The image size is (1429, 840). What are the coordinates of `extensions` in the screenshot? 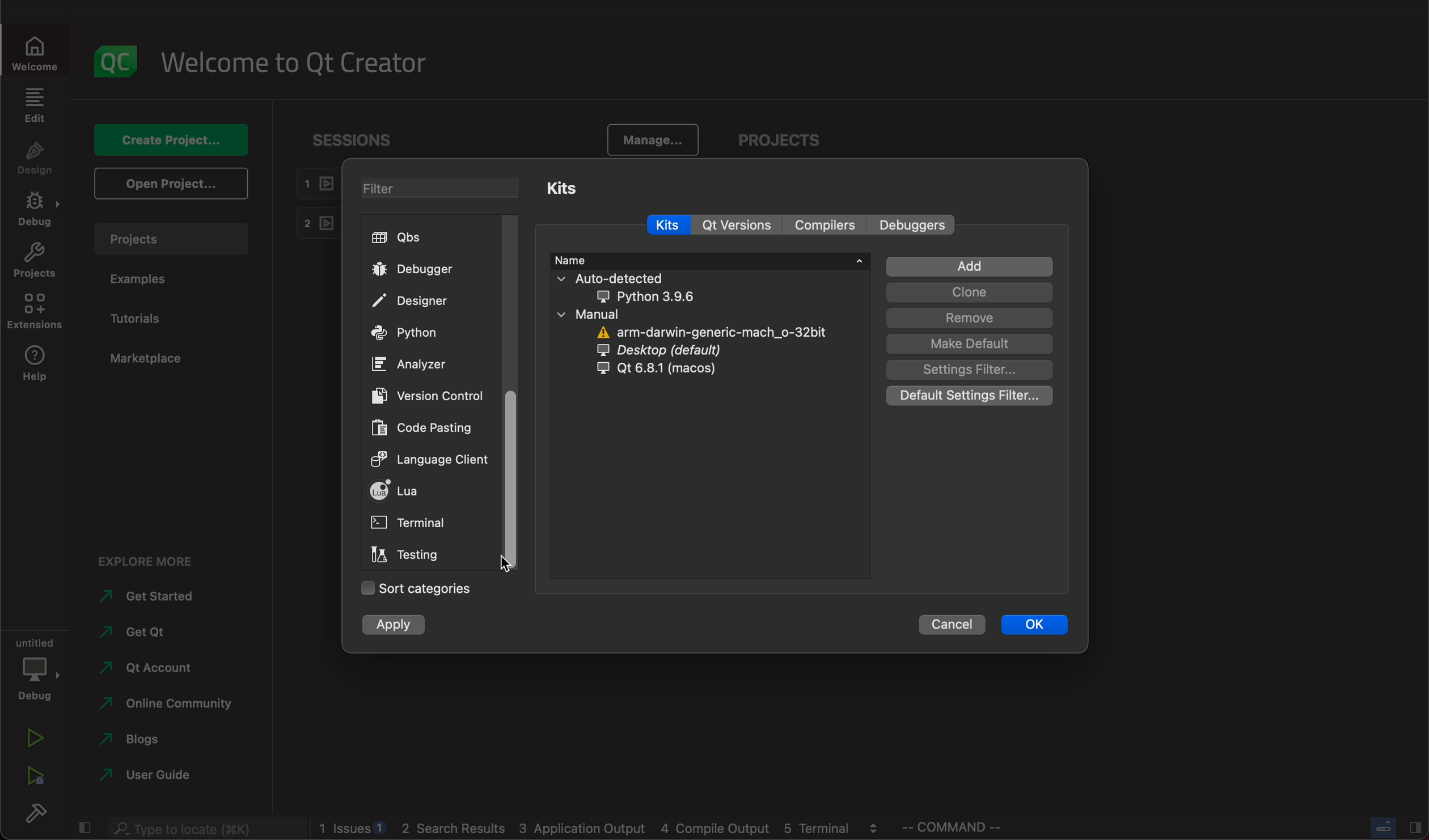 It's located at (35, 312).